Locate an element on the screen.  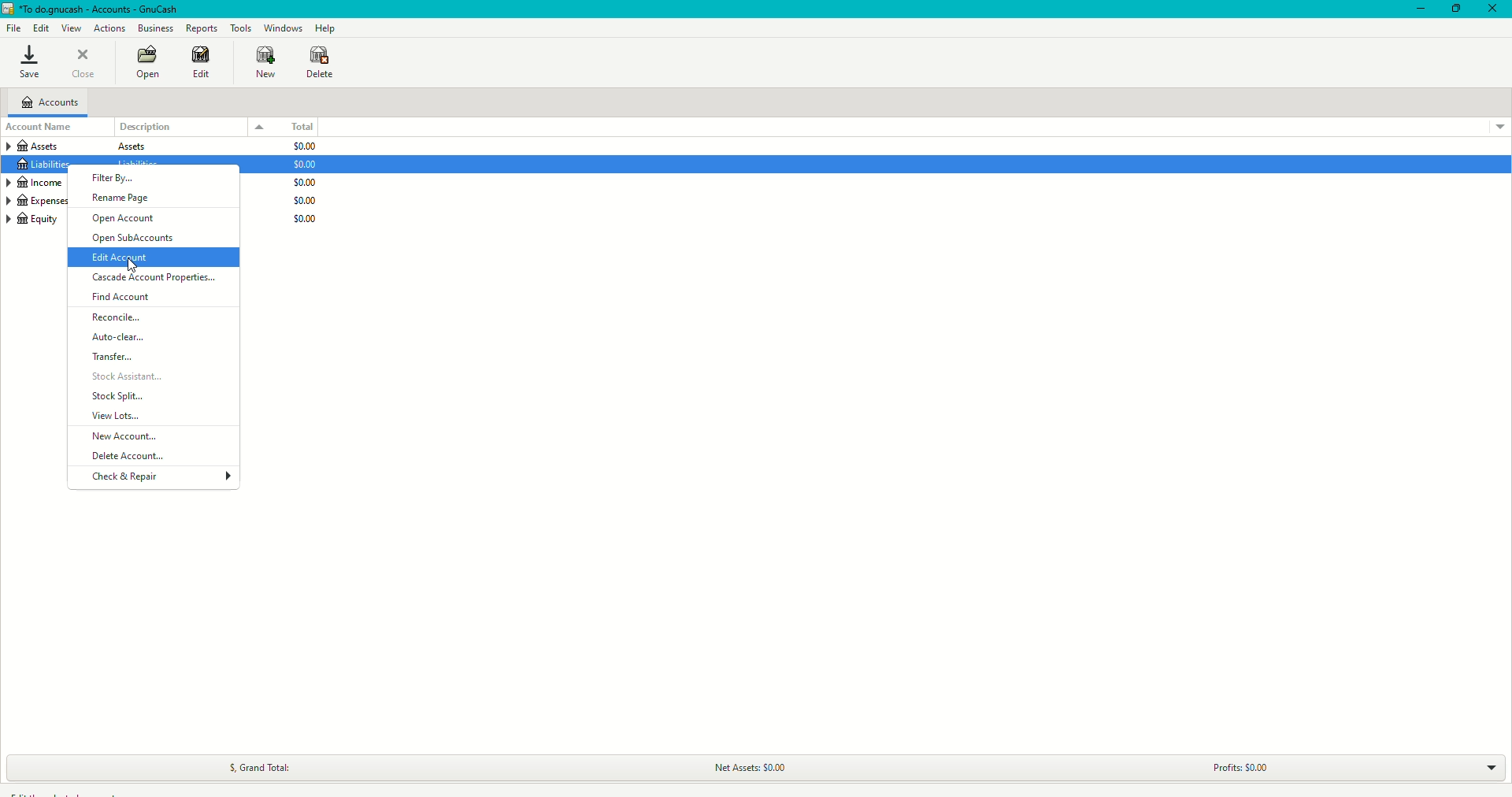
Drop down is located at coordinates (1491, 769).